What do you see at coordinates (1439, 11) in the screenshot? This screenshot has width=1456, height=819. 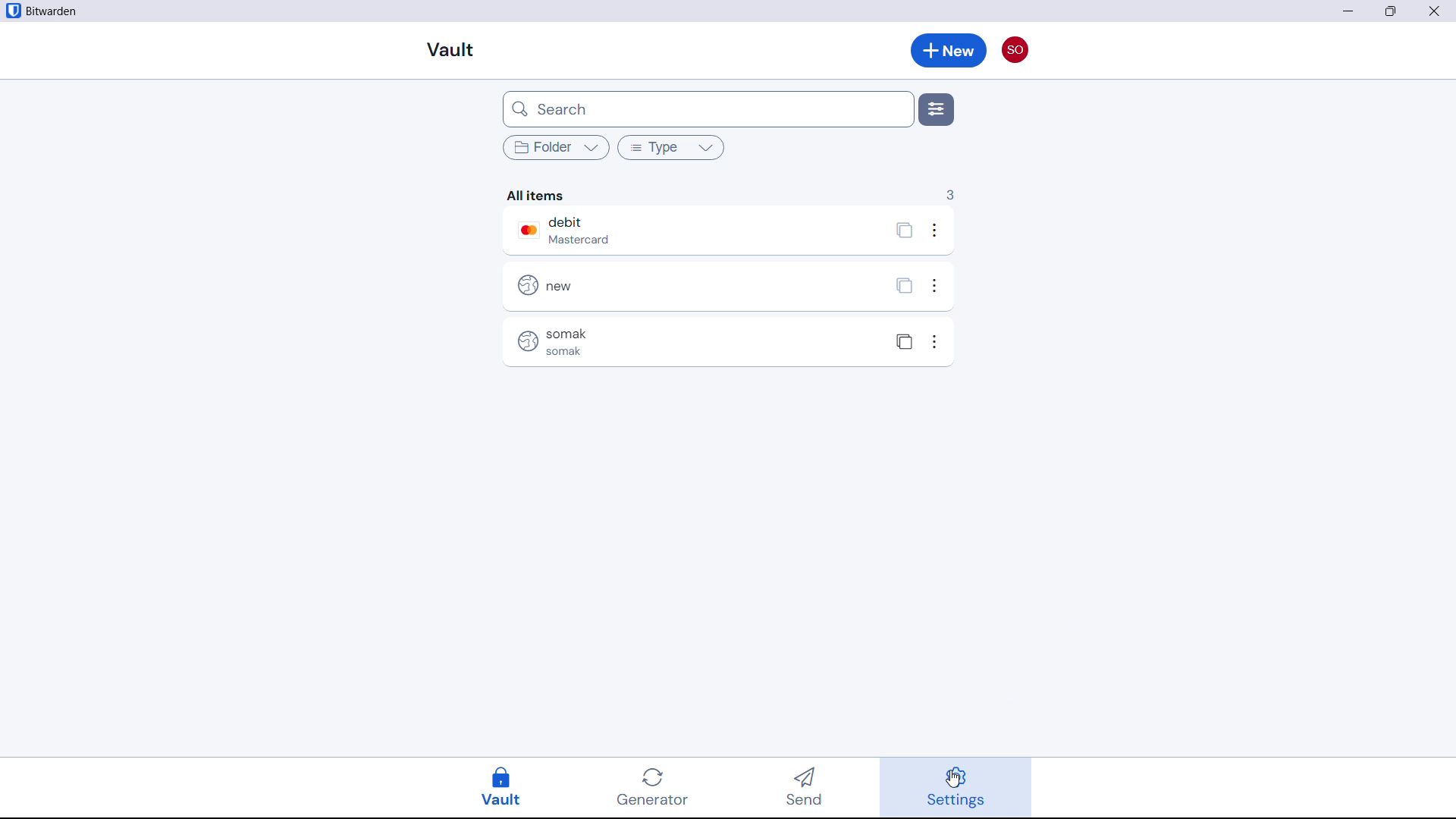 I see `close ` at bounding box center [1439, 11].